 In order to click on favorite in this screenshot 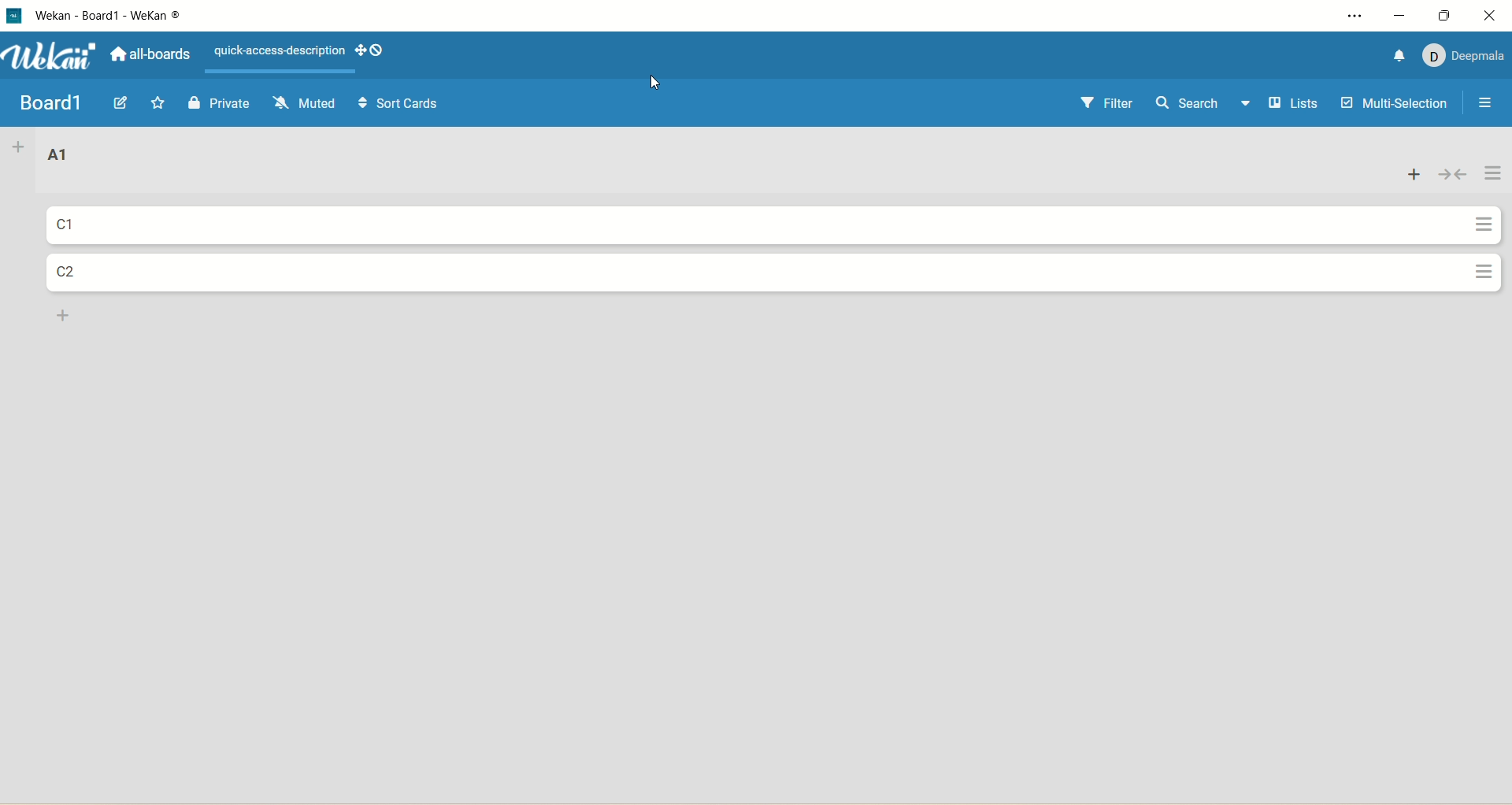, I will do `click(158, 103)`.